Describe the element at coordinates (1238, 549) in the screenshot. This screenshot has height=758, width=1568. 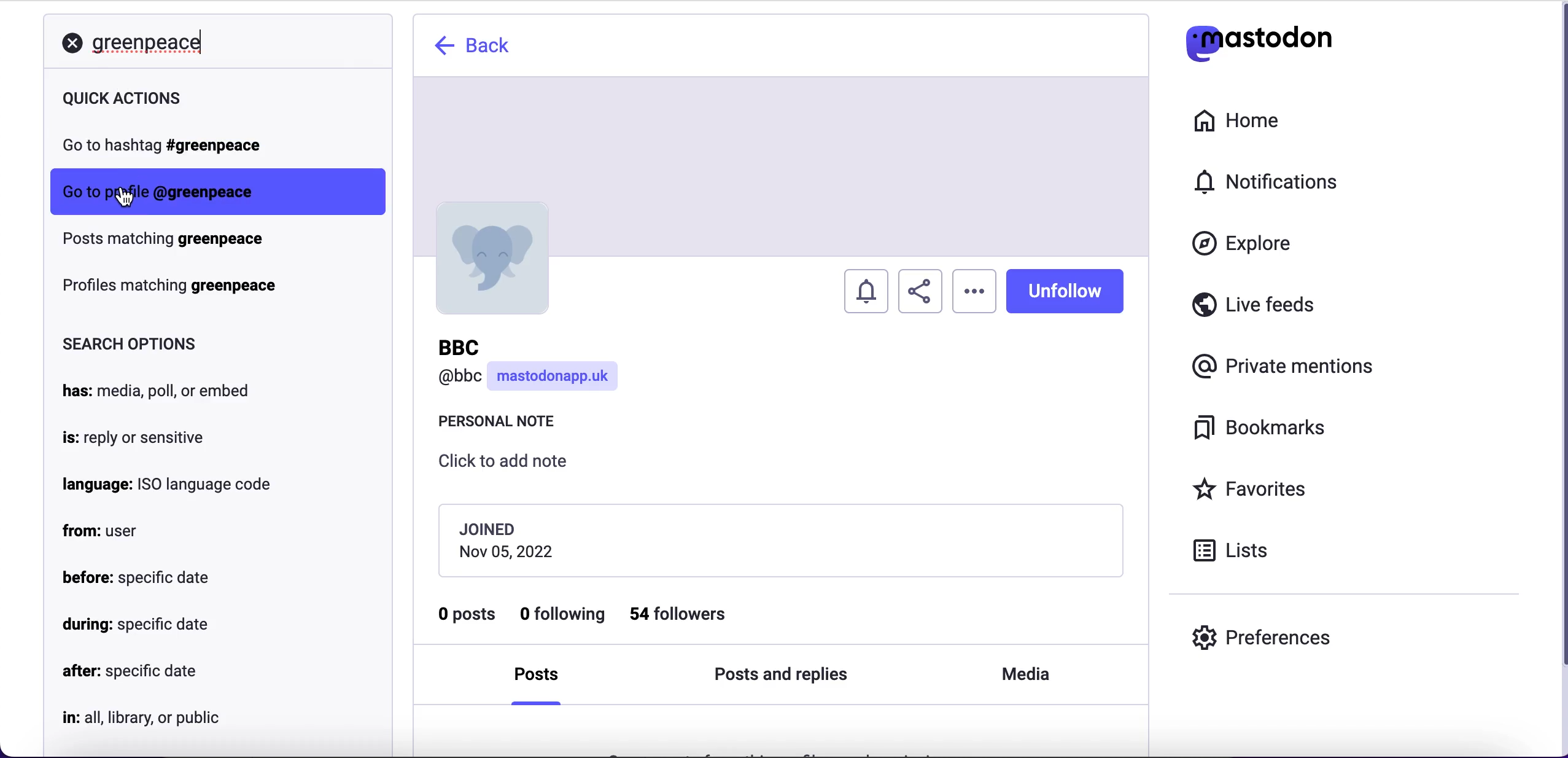
I see `lists` at that location.